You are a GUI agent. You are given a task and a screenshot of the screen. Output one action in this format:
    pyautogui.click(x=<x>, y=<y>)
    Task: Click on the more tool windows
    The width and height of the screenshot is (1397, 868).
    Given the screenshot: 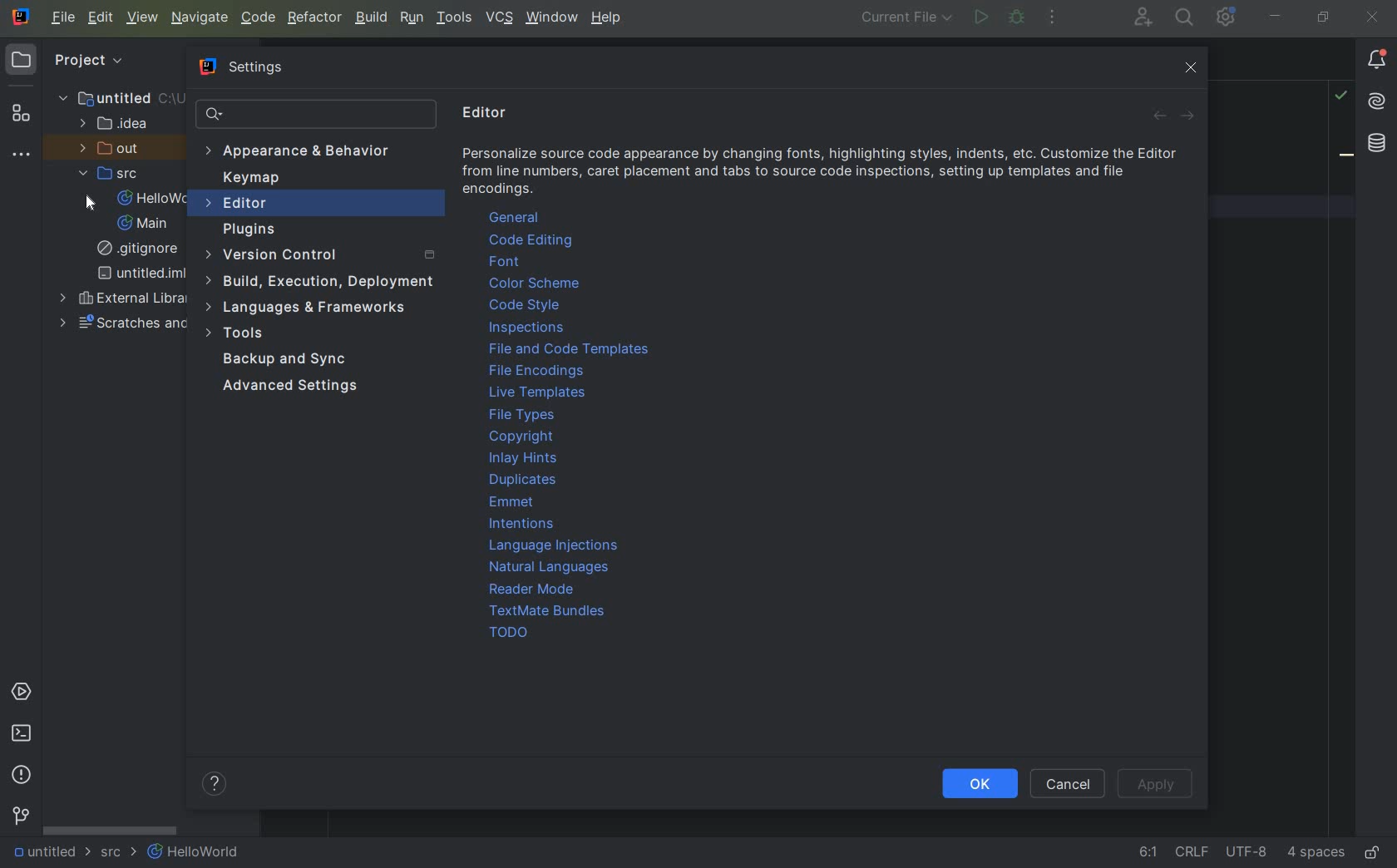 What is the action you would take?
    pyautogui.click(x=22, y=155)
    